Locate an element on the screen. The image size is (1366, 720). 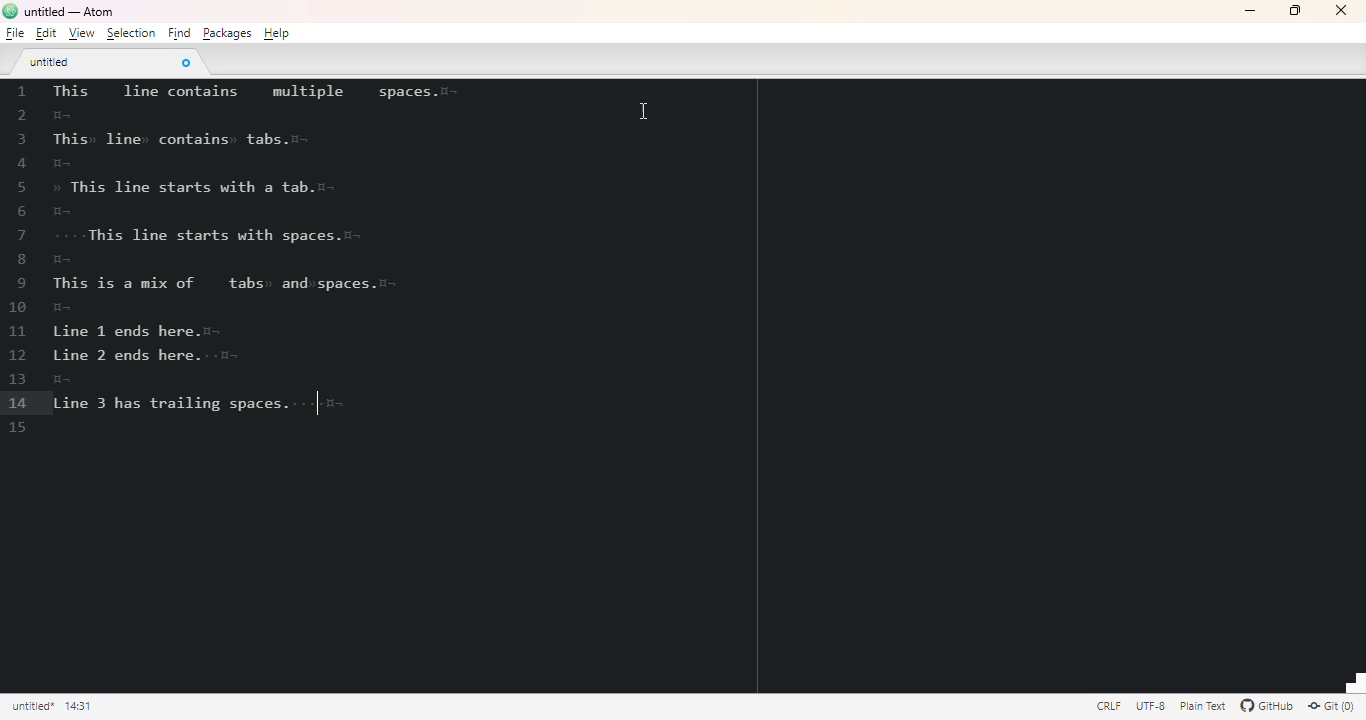
invisible character is located at coordinates (56, 188).